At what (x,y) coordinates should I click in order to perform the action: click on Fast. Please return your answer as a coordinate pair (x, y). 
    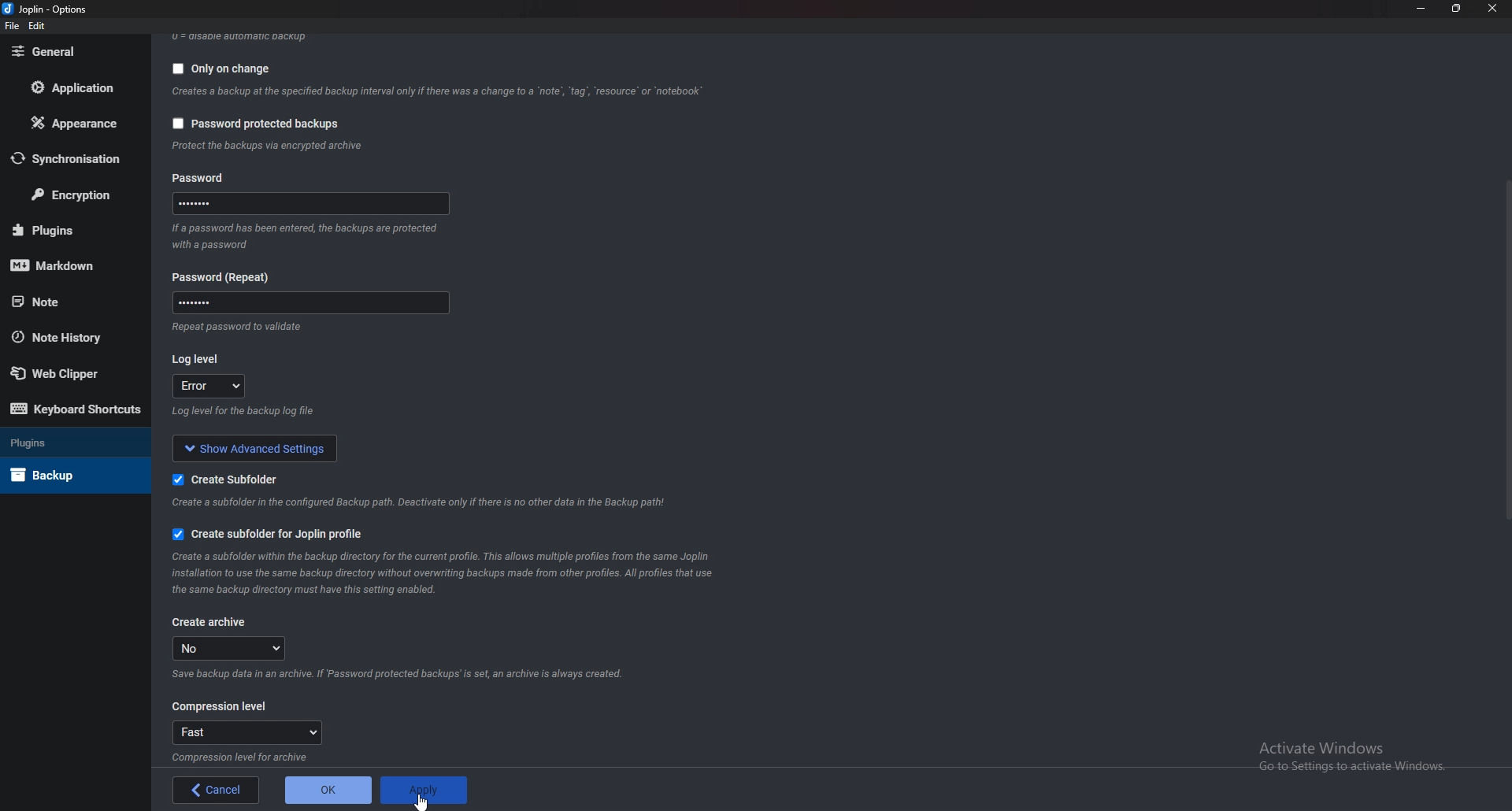
    Looking at the image, I should click on (246, 732).